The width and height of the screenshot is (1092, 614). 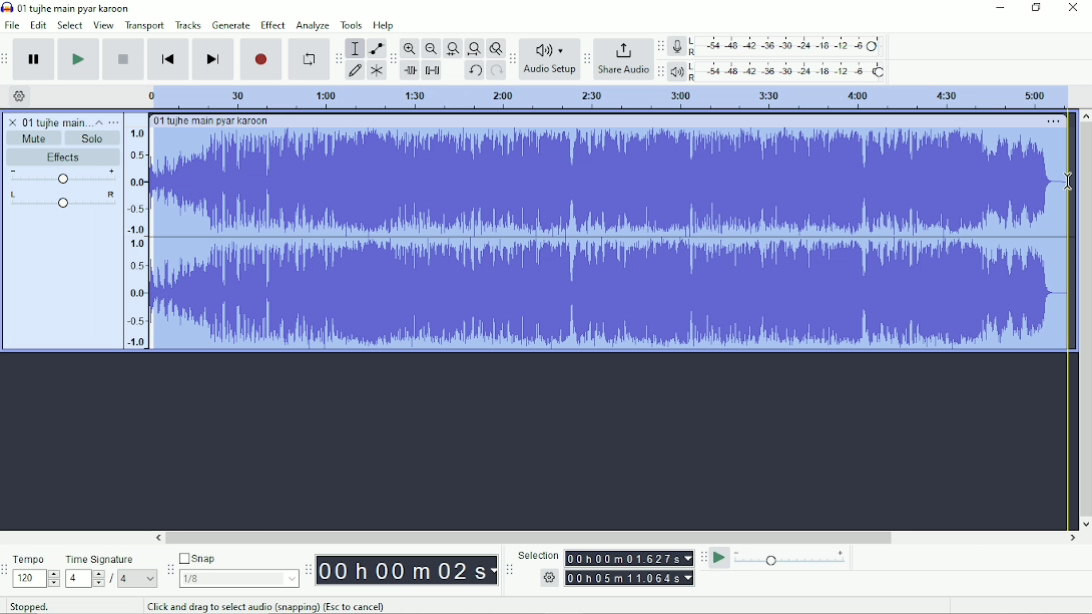 What do you see at coordinates (138, 579) in the screenshot?
I see `4` at bounding box center [138, 579].